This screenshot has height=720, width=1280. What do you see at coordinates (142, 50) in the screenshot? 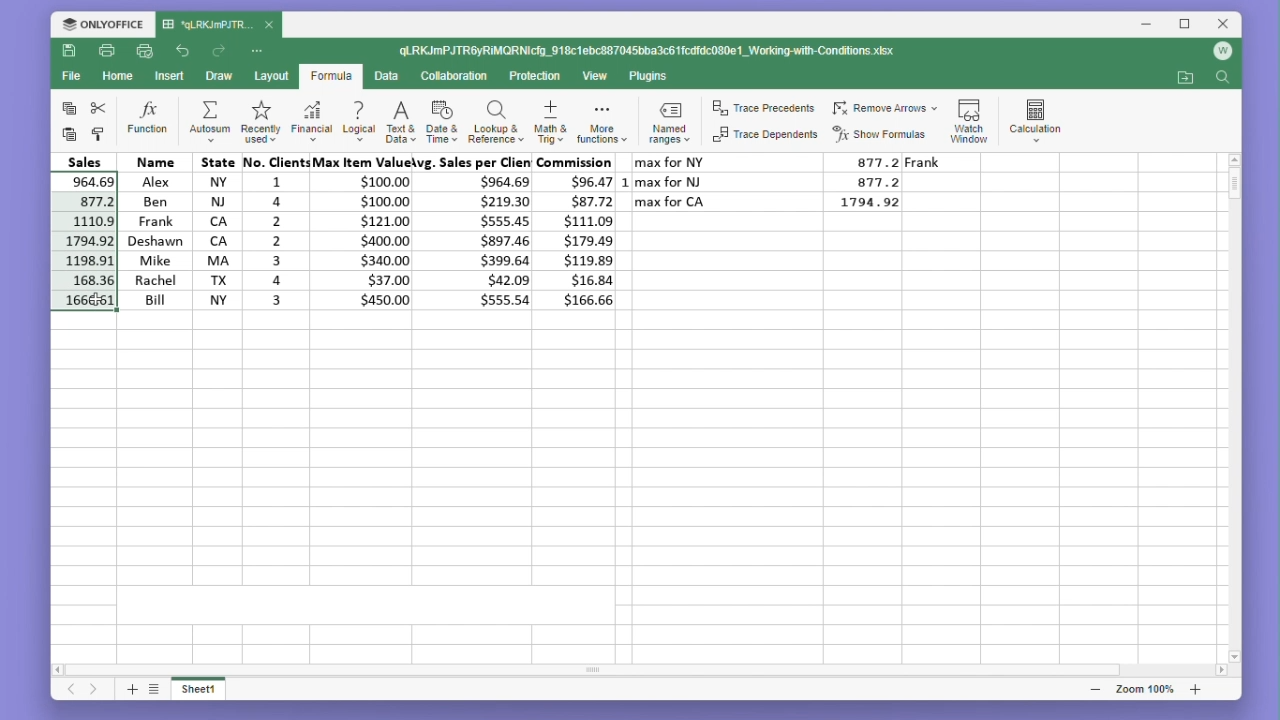
I see `quick print` at bounding box center [142, 50].